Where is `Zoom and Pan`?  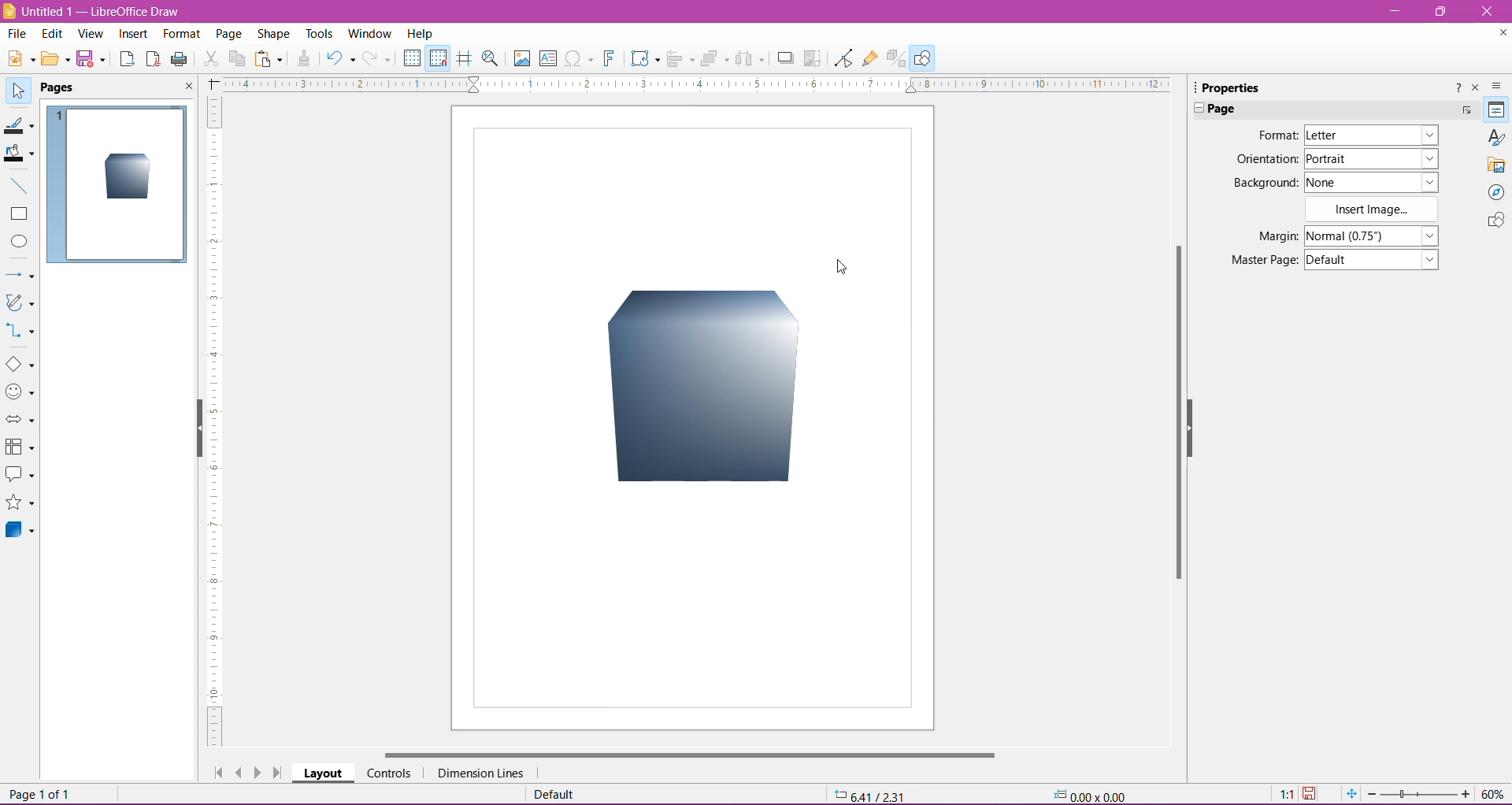
Zoom and Pan is located at coordinates (492, 61).